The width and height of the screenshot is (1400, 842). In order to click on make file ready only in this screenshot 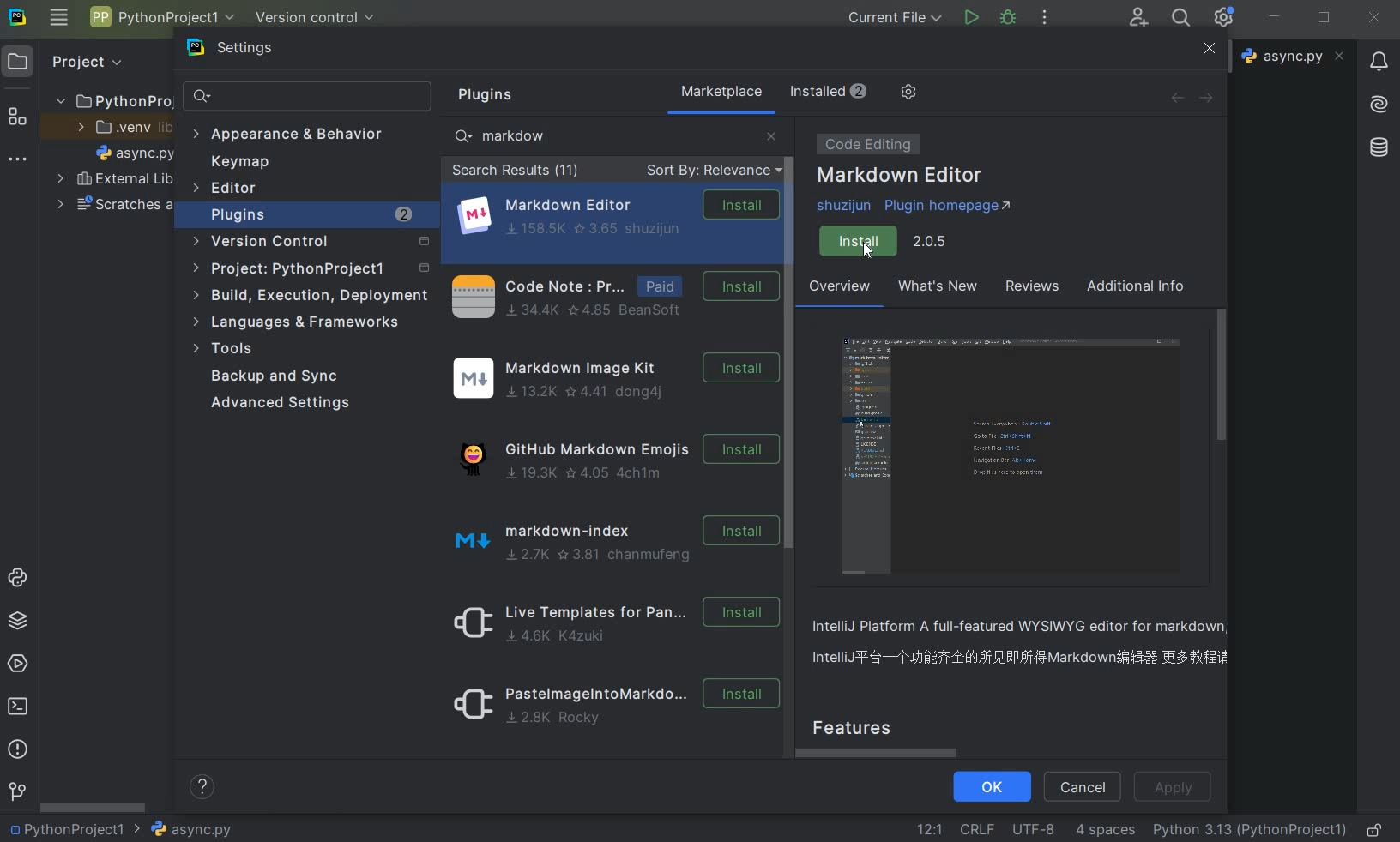, I will do `click(1378, 830)`.